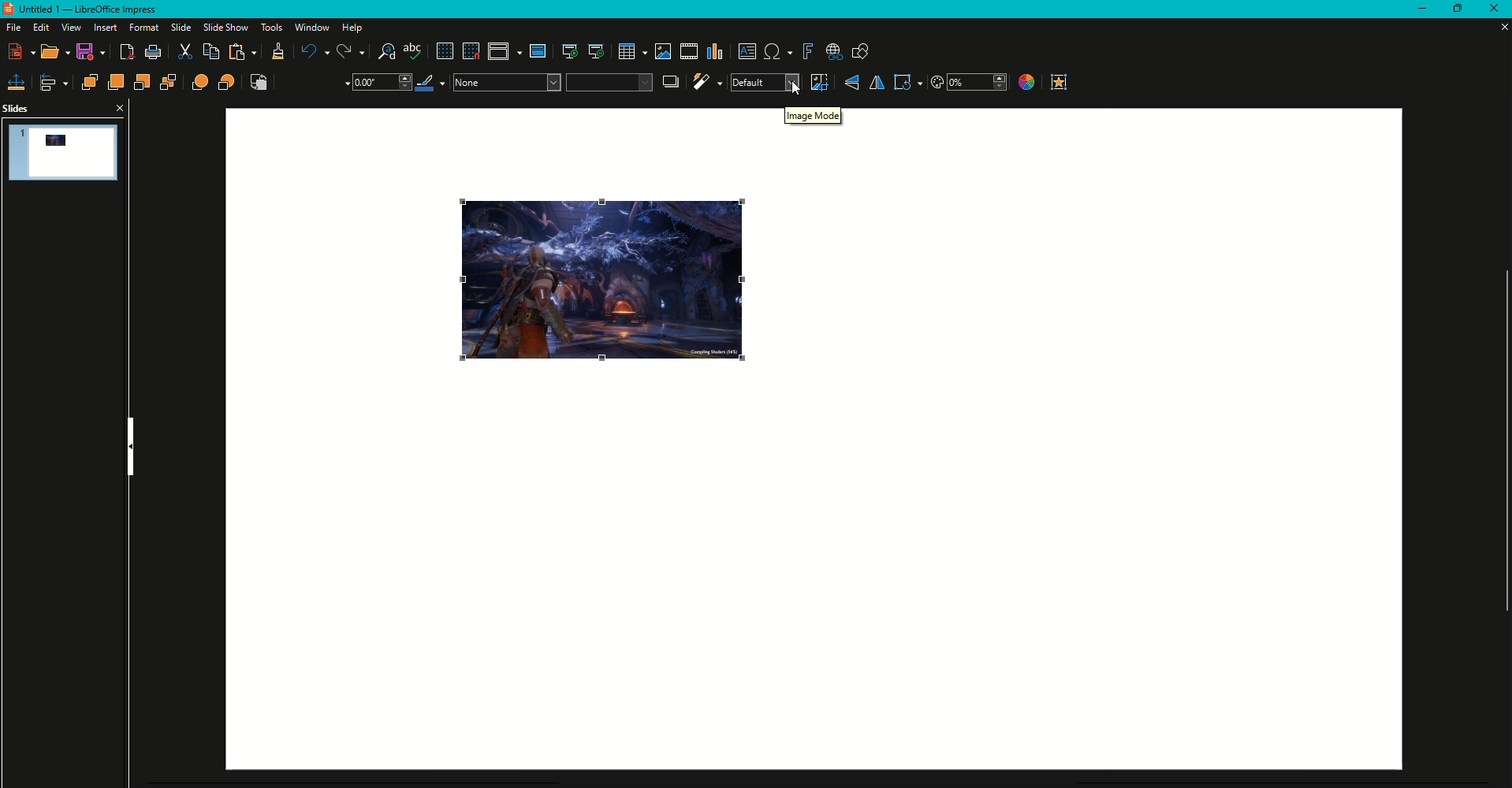 Image resolution: width=1512 pixels, height=788 pixels. Describe the element at coordinates (386, 52) in the screenshot. I see `Find and Replace` at that location.